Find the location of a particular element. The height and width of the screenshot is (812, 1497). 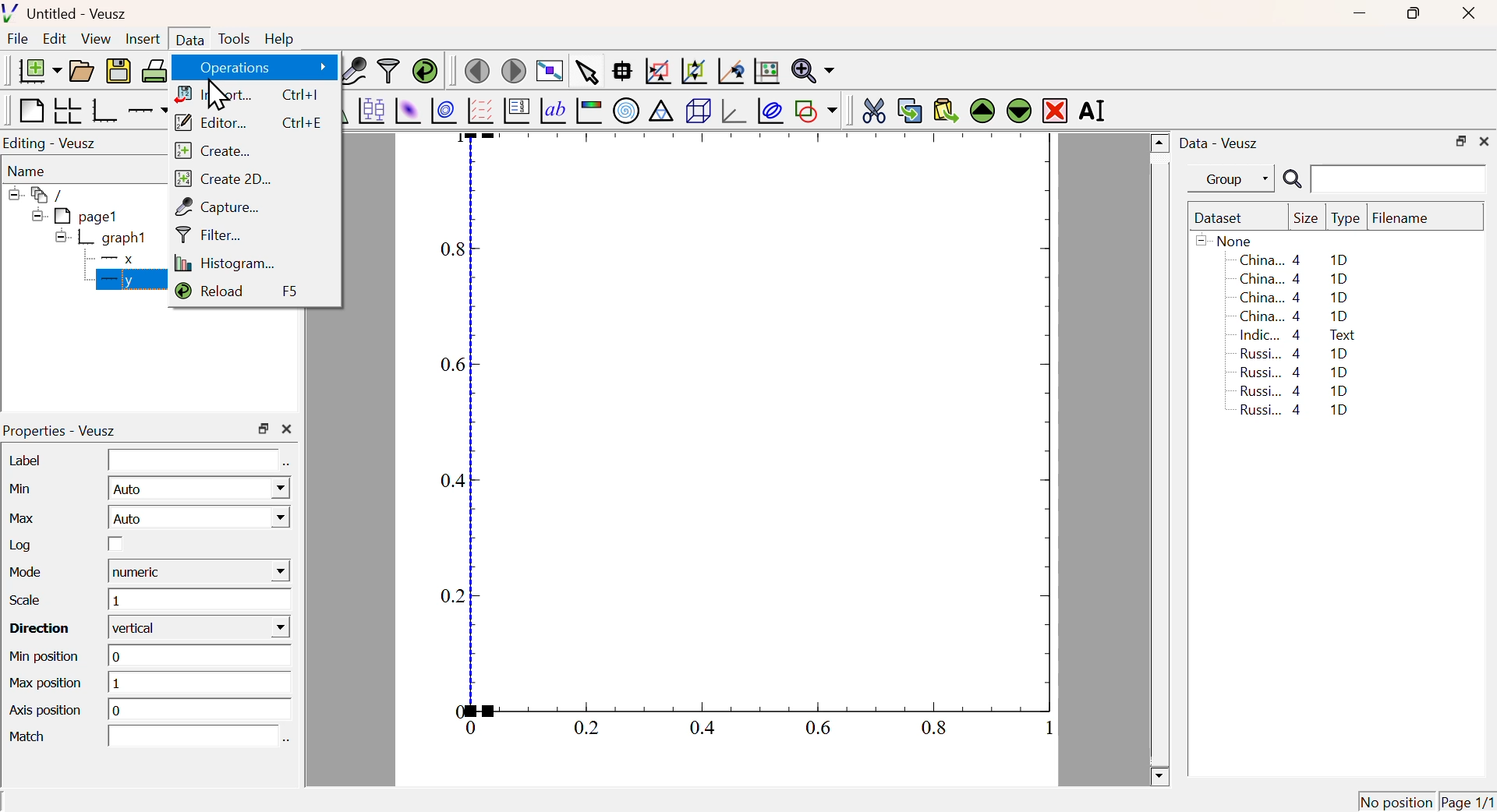

Data - Veusz is located at coordinates (1222, 144).